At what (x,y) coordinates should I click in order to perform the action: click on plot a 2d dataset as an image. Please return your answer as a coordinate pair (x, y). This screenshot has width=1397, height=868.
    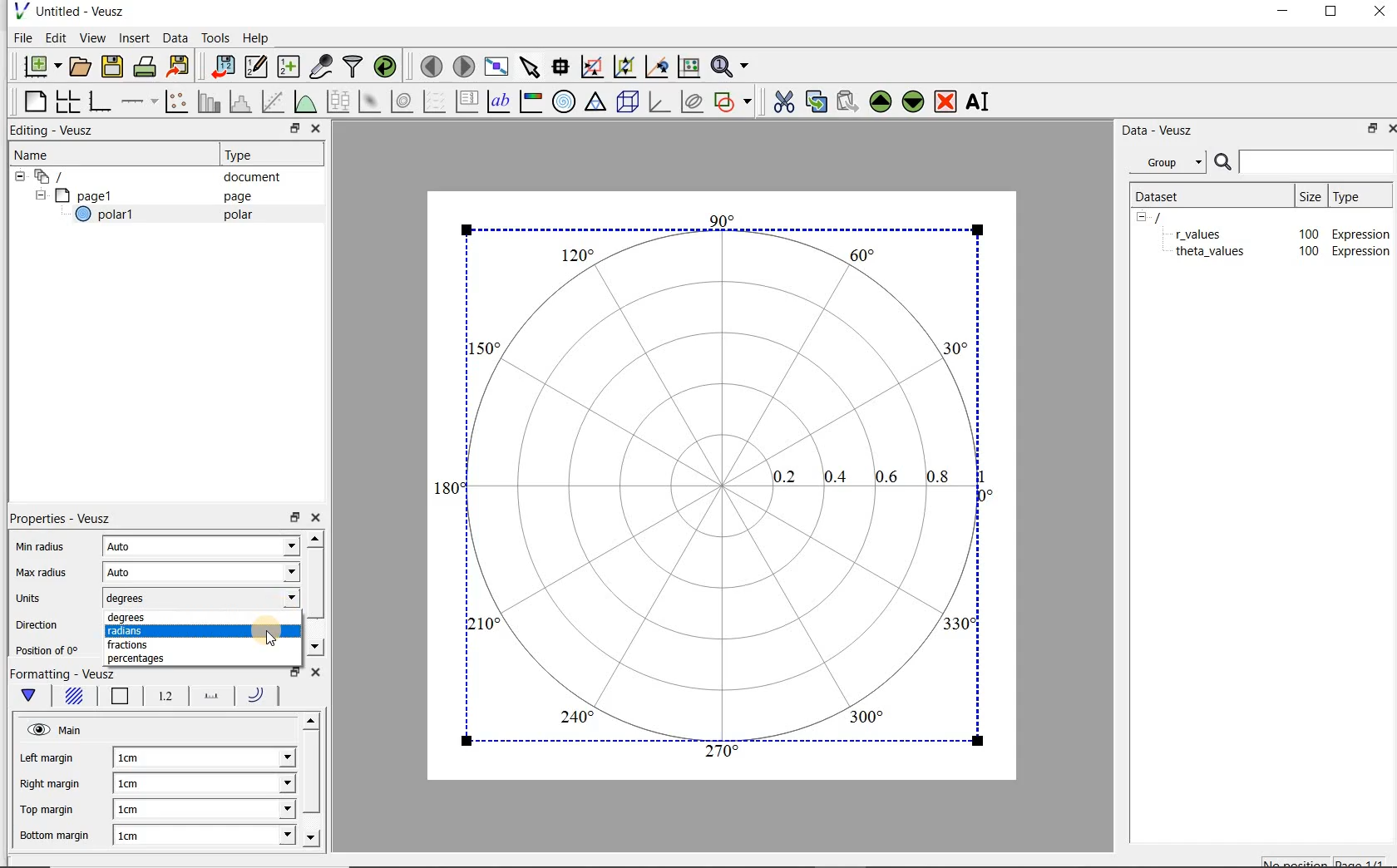
    Looking at the image, I should click on (372, 102).